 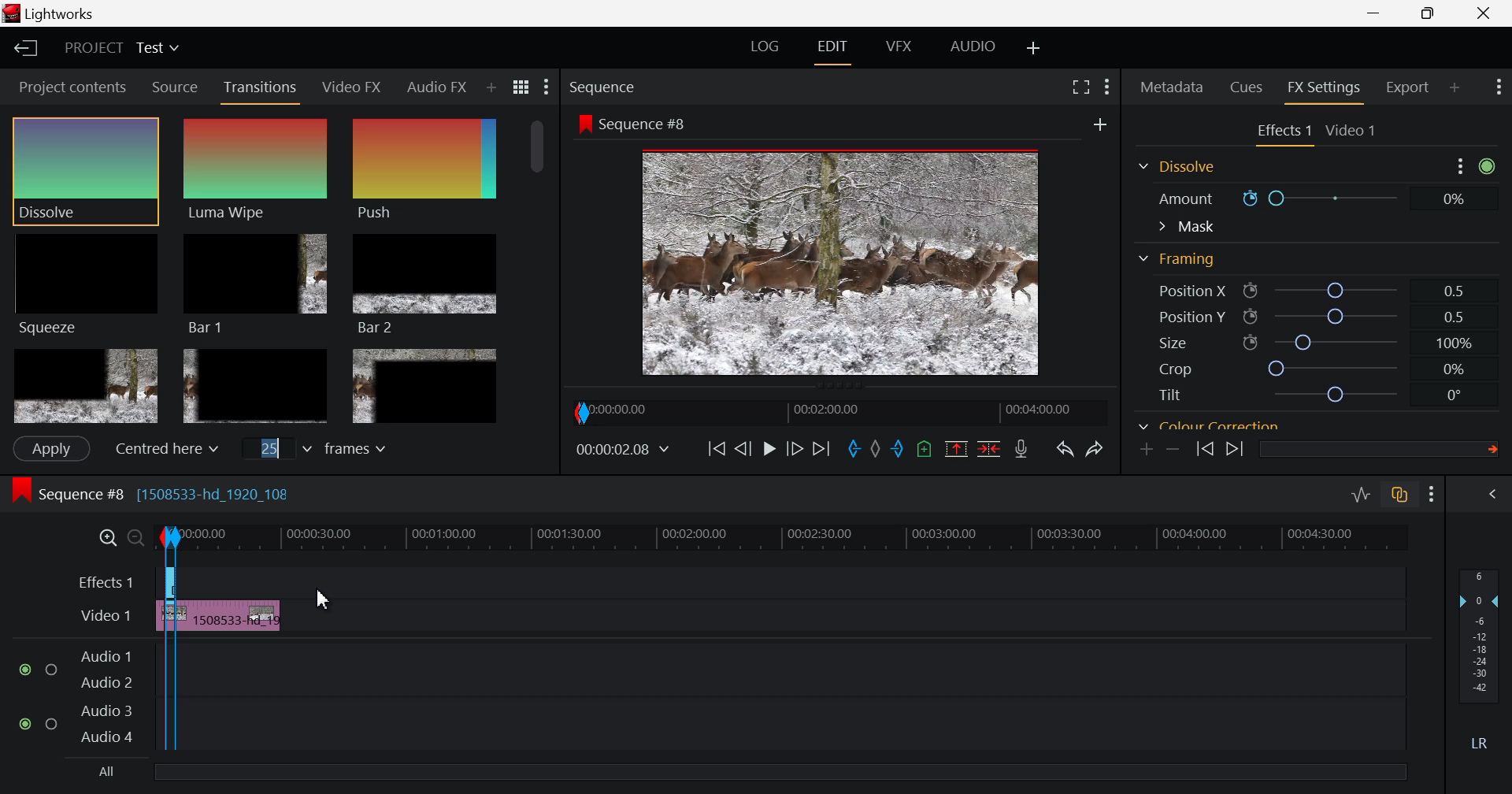 What do you see at coordinates (851, 450) in the screenshot?
I see `In mark` at bounding box center [851, 450].